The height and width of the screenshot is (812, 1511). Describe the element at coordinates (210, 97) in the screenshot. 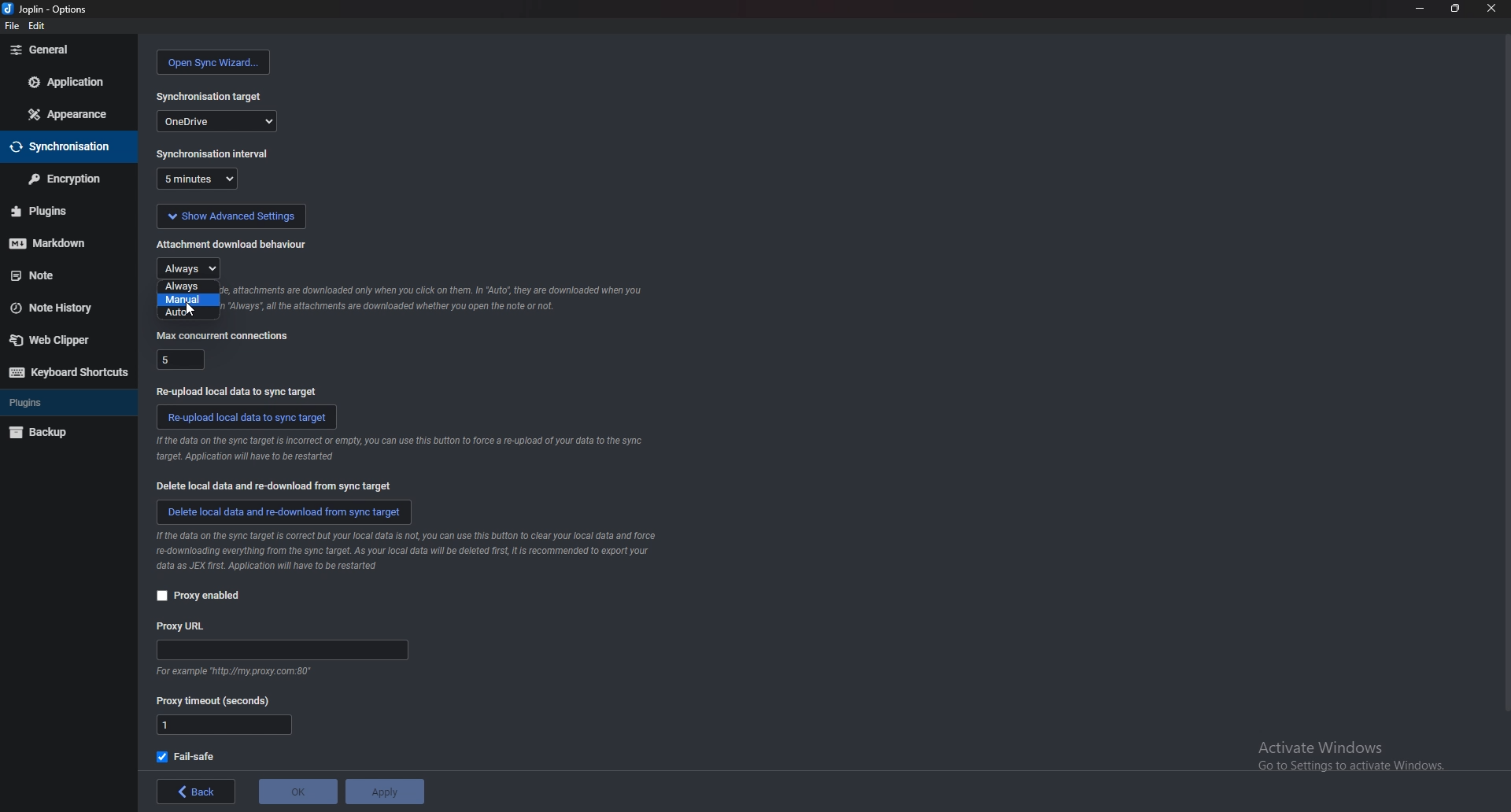

I see `sync target` at that location.